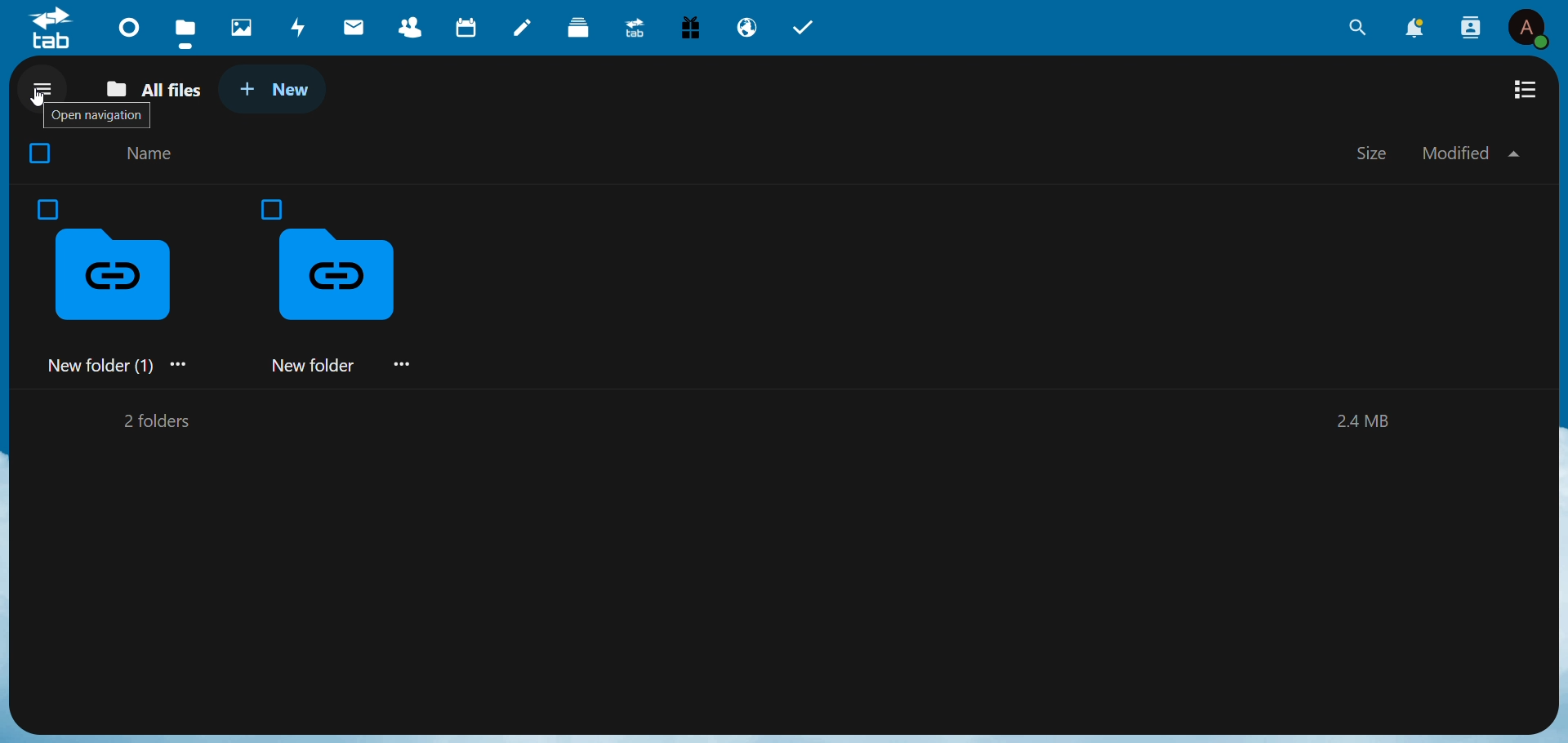 The image size is (1568, 743). Describe the element at coordinates (95, 117) in the screenshot. I see `open navigation` at that location.